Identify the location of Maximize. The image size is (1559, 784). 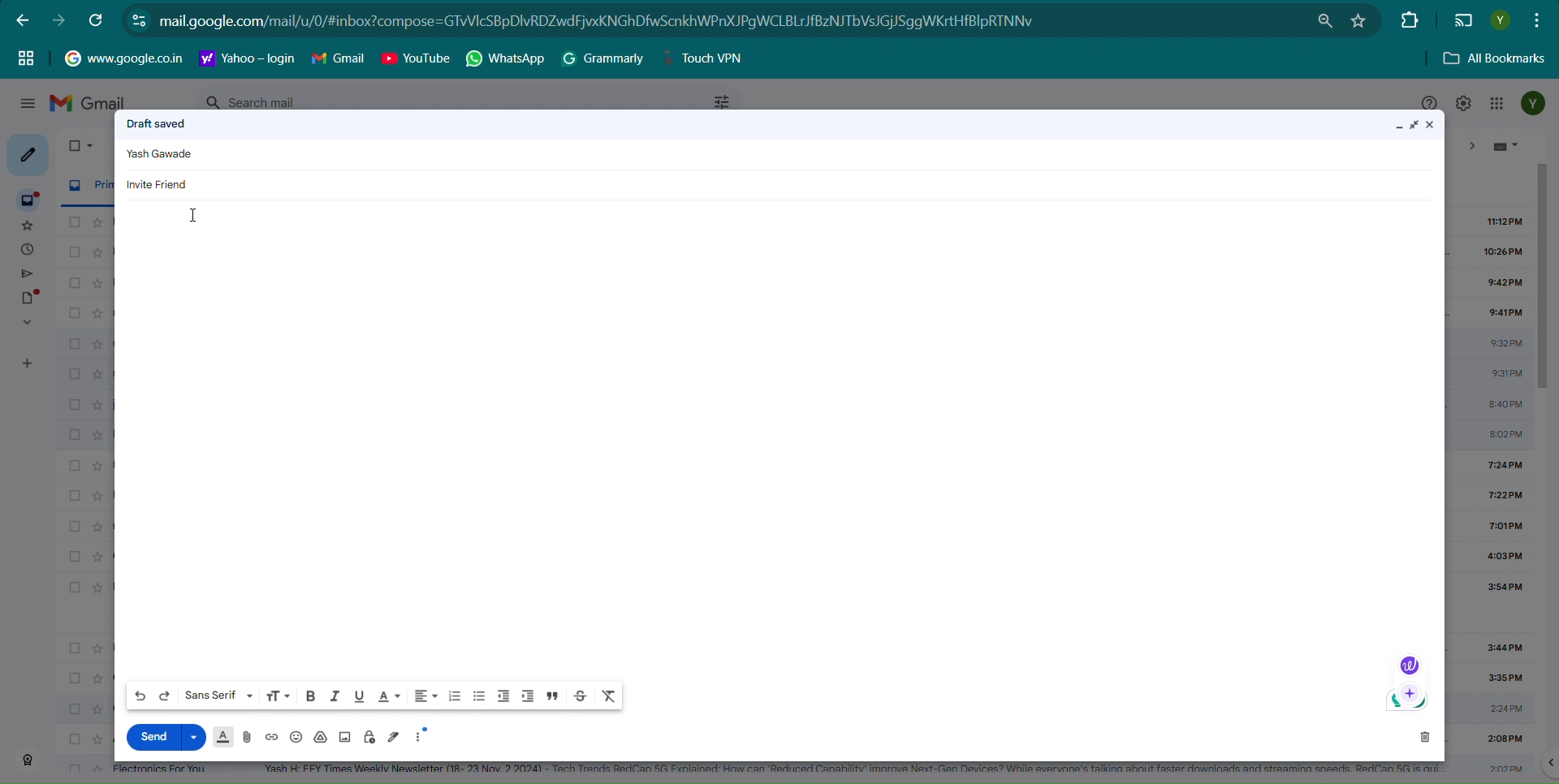
(1416, 125).